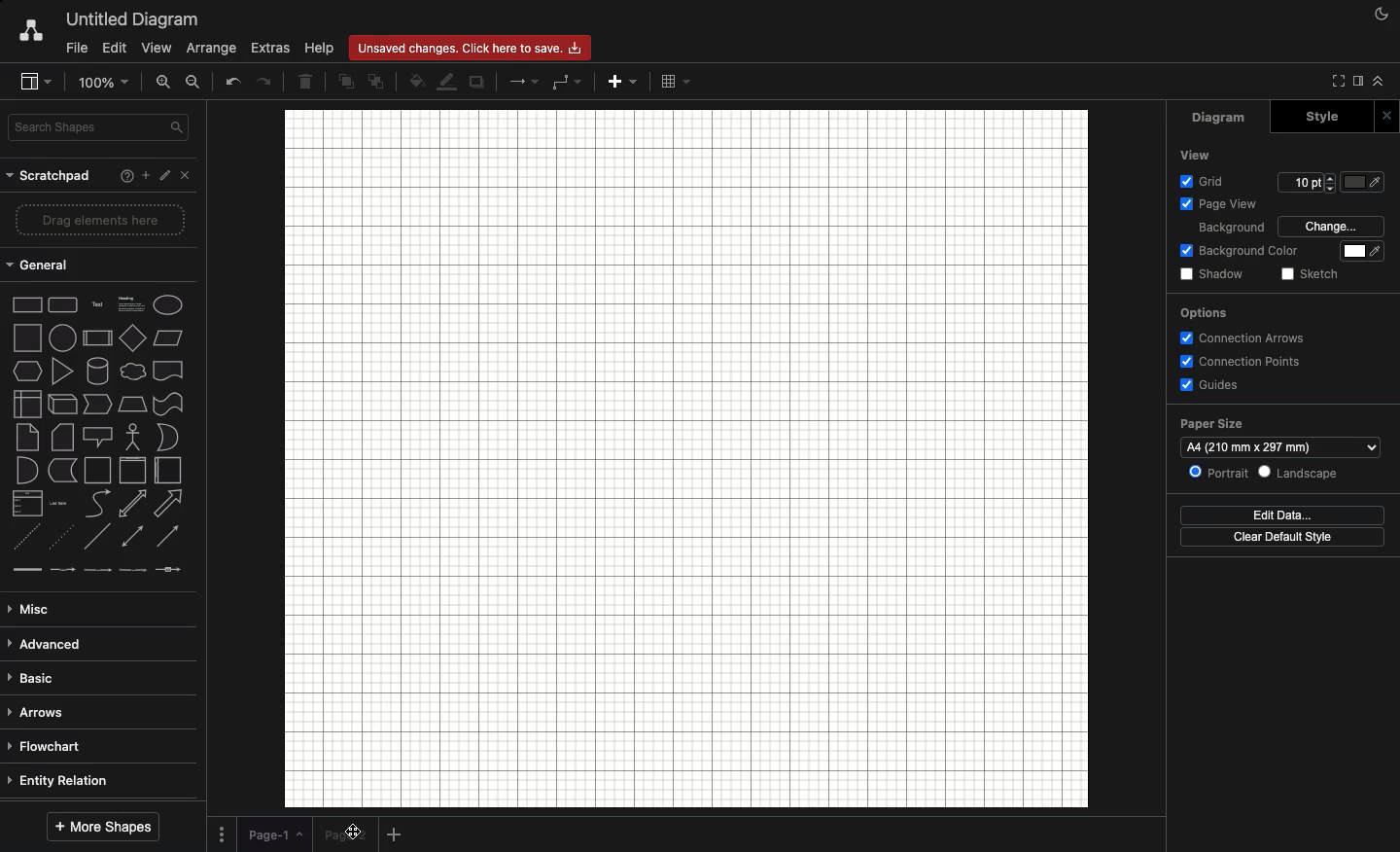 This screenshot has height=852, width=1400. What do you see at coordinates (1204, 313) in the screenshot?
I see `Options` at bounding box center [1204, 313].